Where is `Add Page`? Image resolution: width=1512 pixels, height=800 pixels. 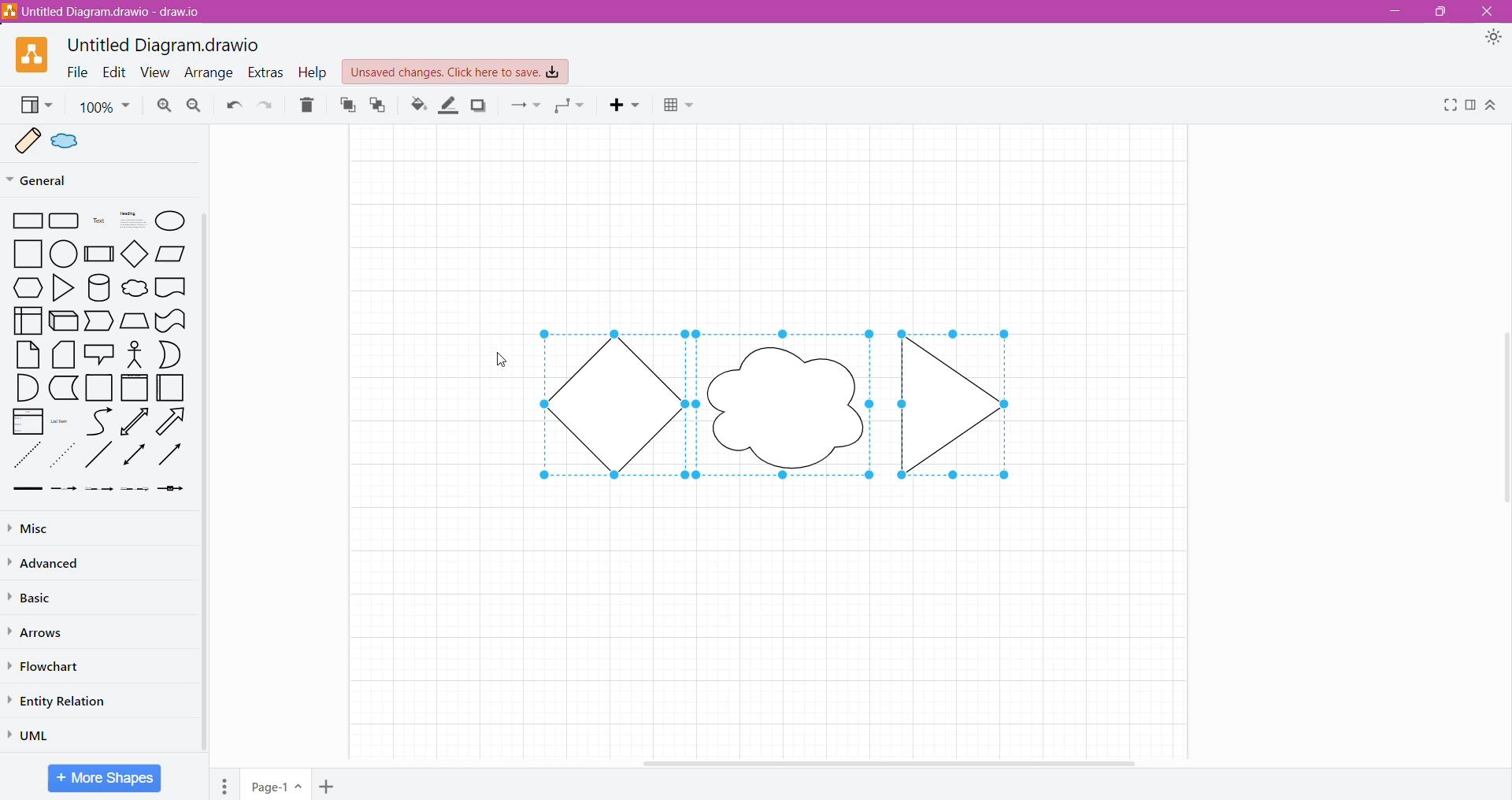 Add Page is located at coordinates (331, 787).